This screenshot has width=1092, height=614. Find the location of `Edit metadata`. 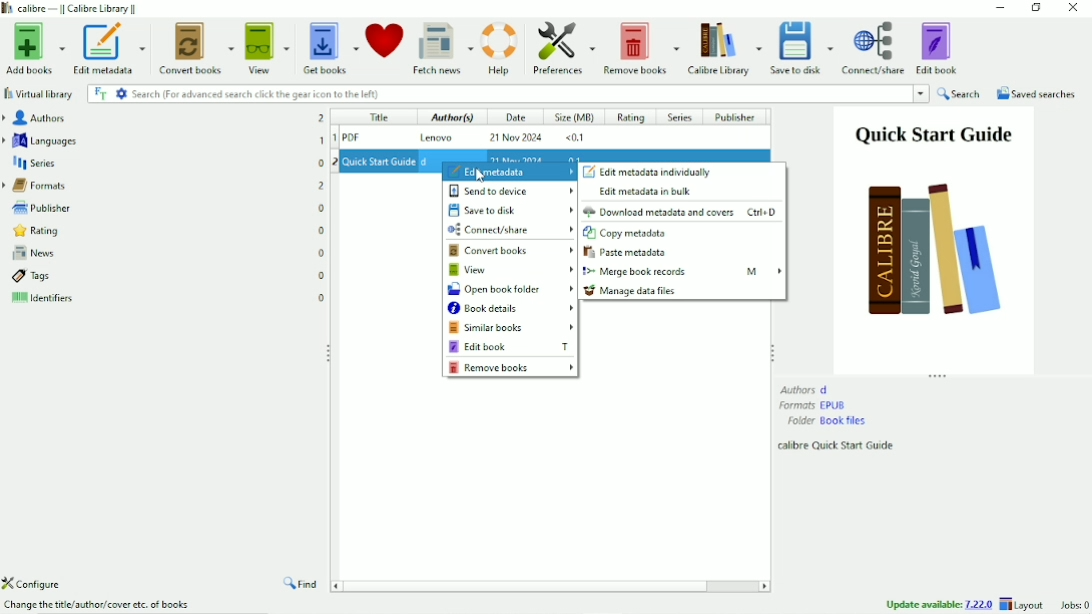

Edit metadata is located at coordinates (509, 172).